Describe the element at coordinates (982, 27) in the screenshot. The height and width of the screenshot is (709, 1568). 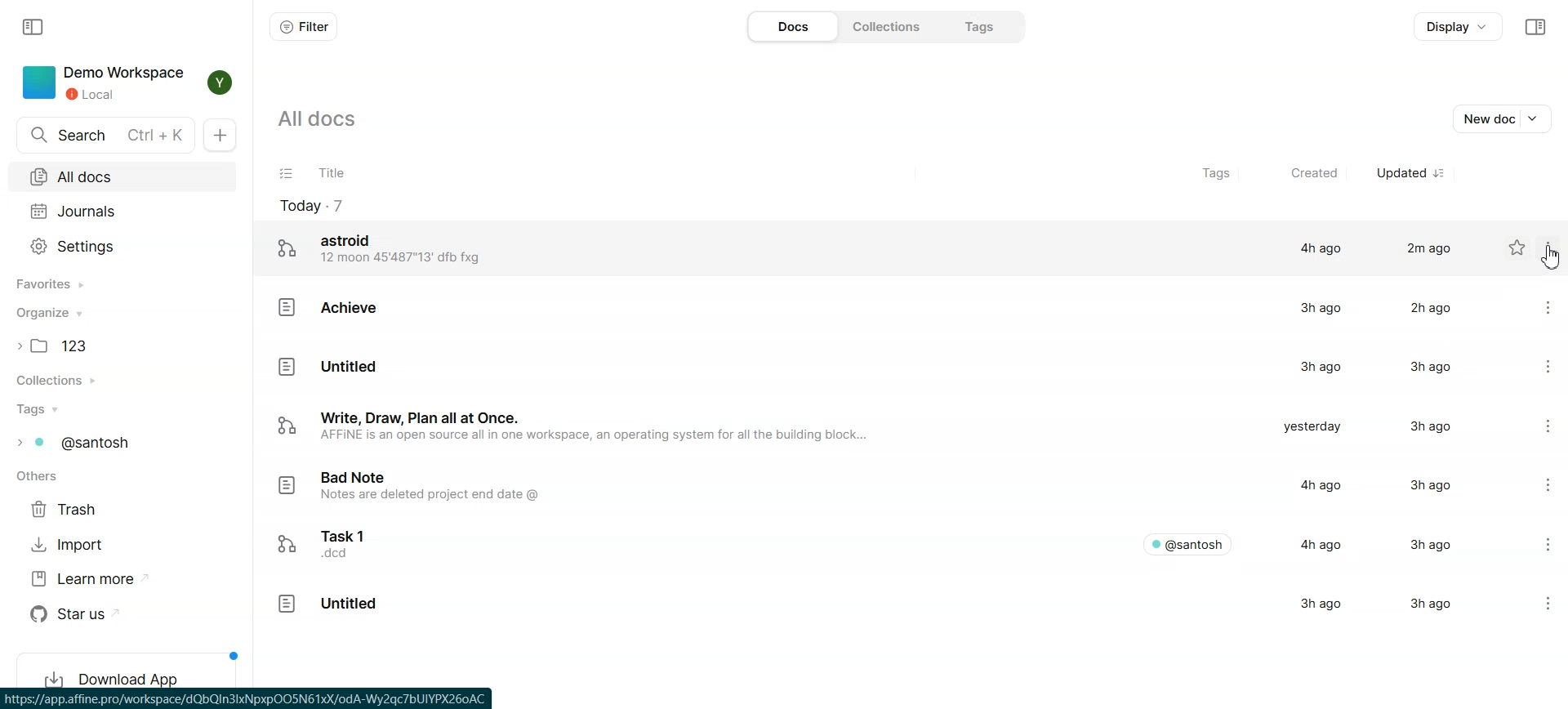
I see `Tags` at that location.